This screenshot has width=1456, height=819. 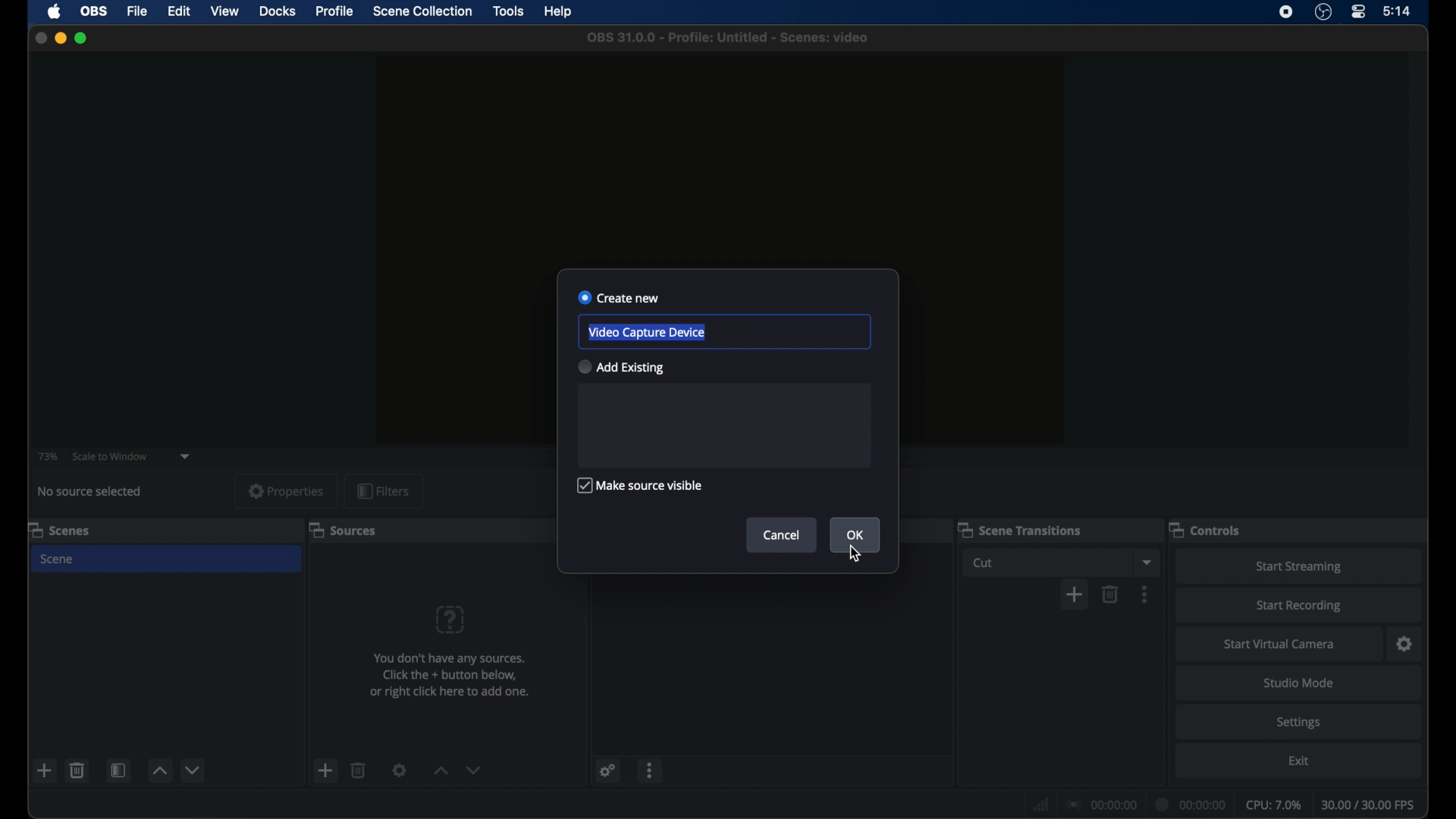 I want to click on studio mode, so click(x=1300, y=683).